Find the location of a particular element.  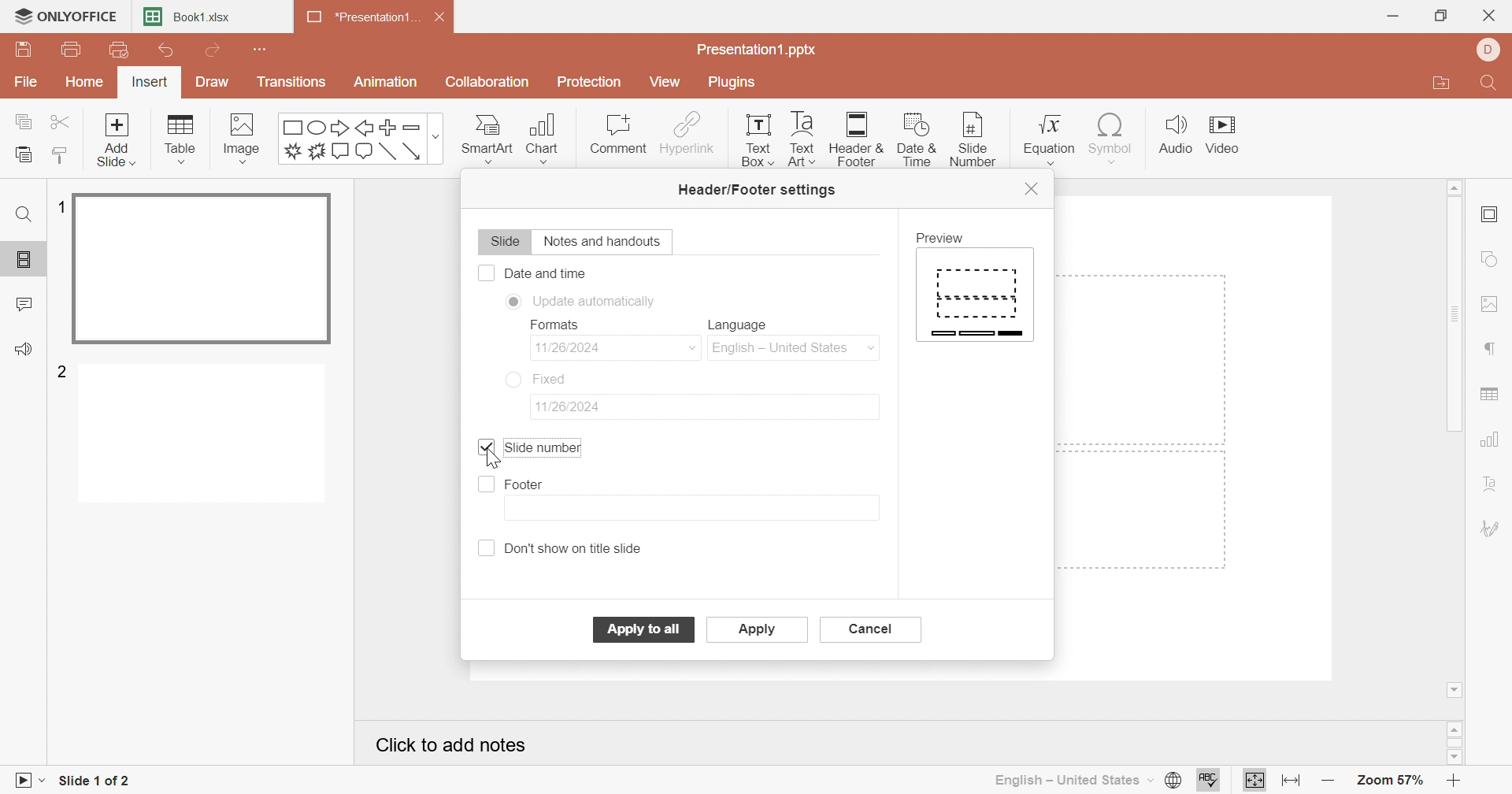

Find is located at coordinates (1486, 86).